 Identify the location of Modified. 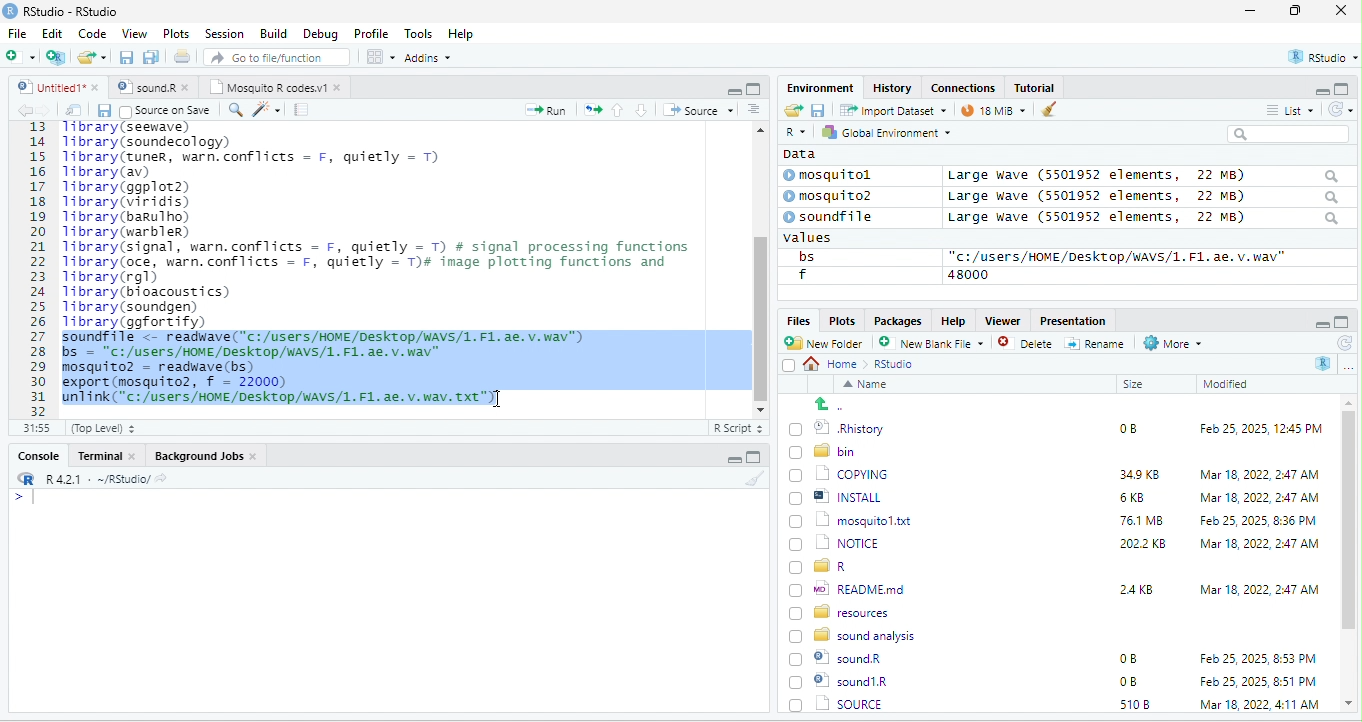
(1227, 384).